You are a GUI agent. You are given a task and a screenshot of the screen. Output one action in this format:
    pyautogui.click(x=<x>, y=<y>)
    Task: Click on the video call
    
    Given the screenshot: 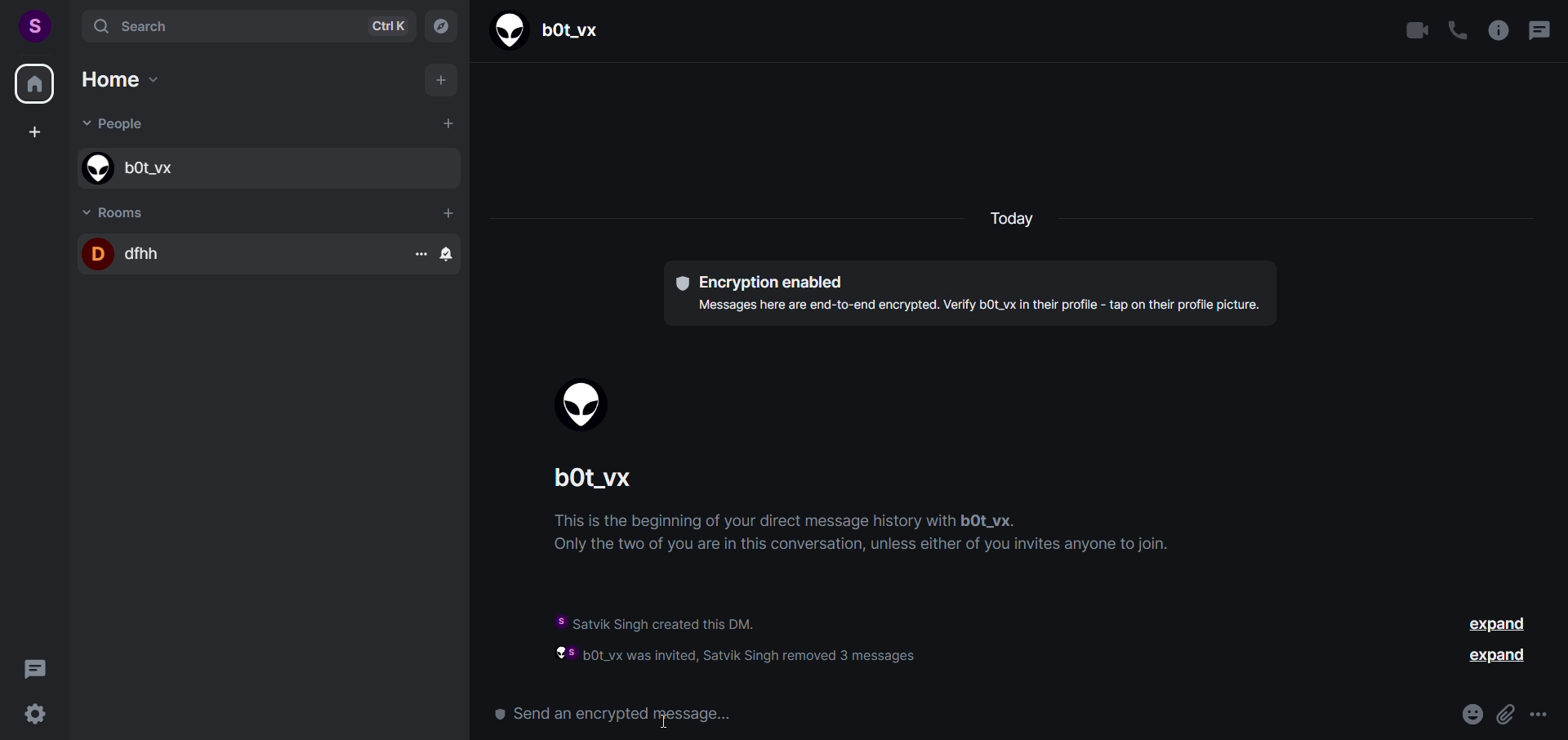 What is the action you would take?
    pyautogui.click(x=1418, y=31)
    